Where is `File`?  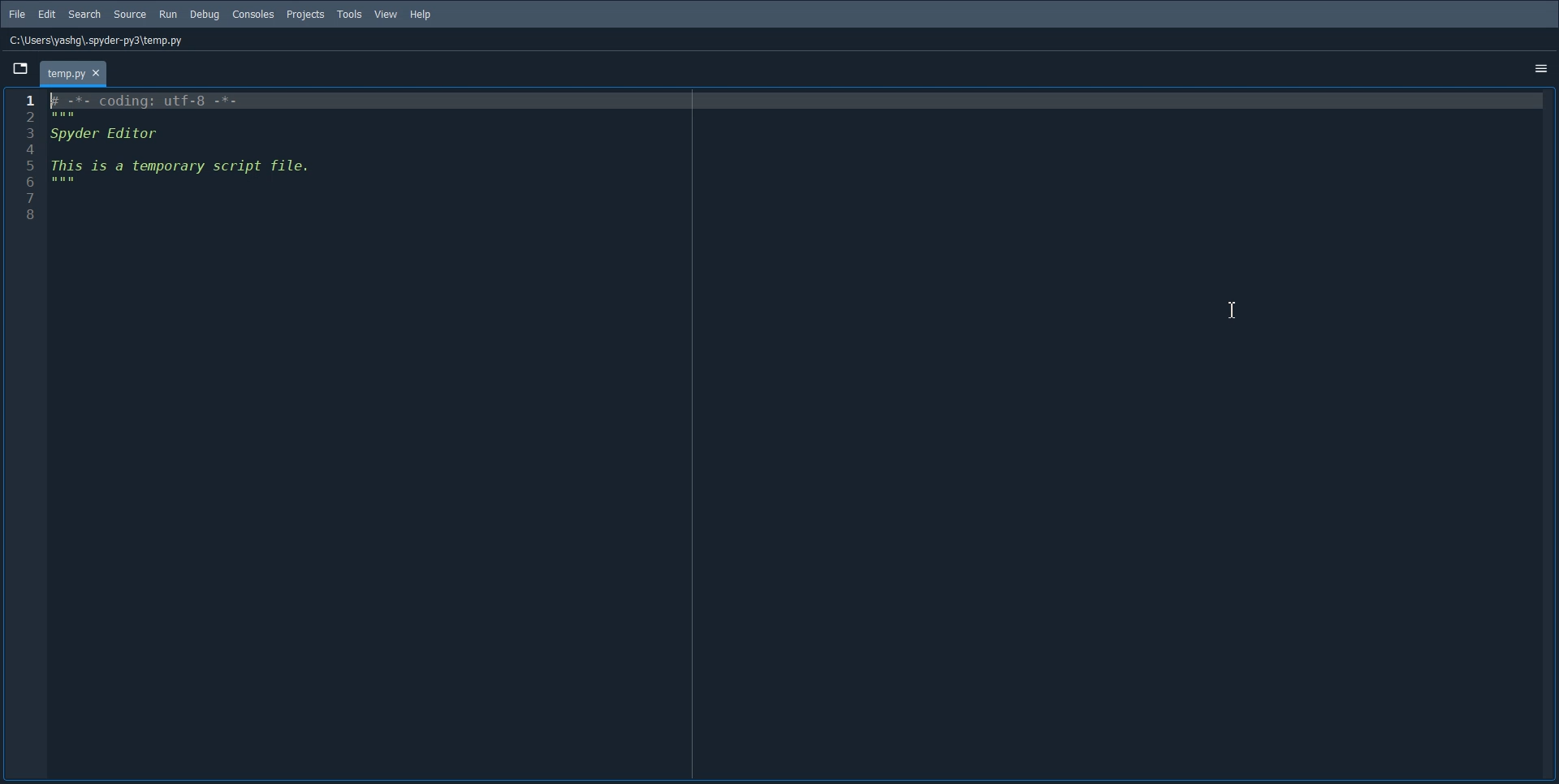
File is located at coordinates (17, 14).